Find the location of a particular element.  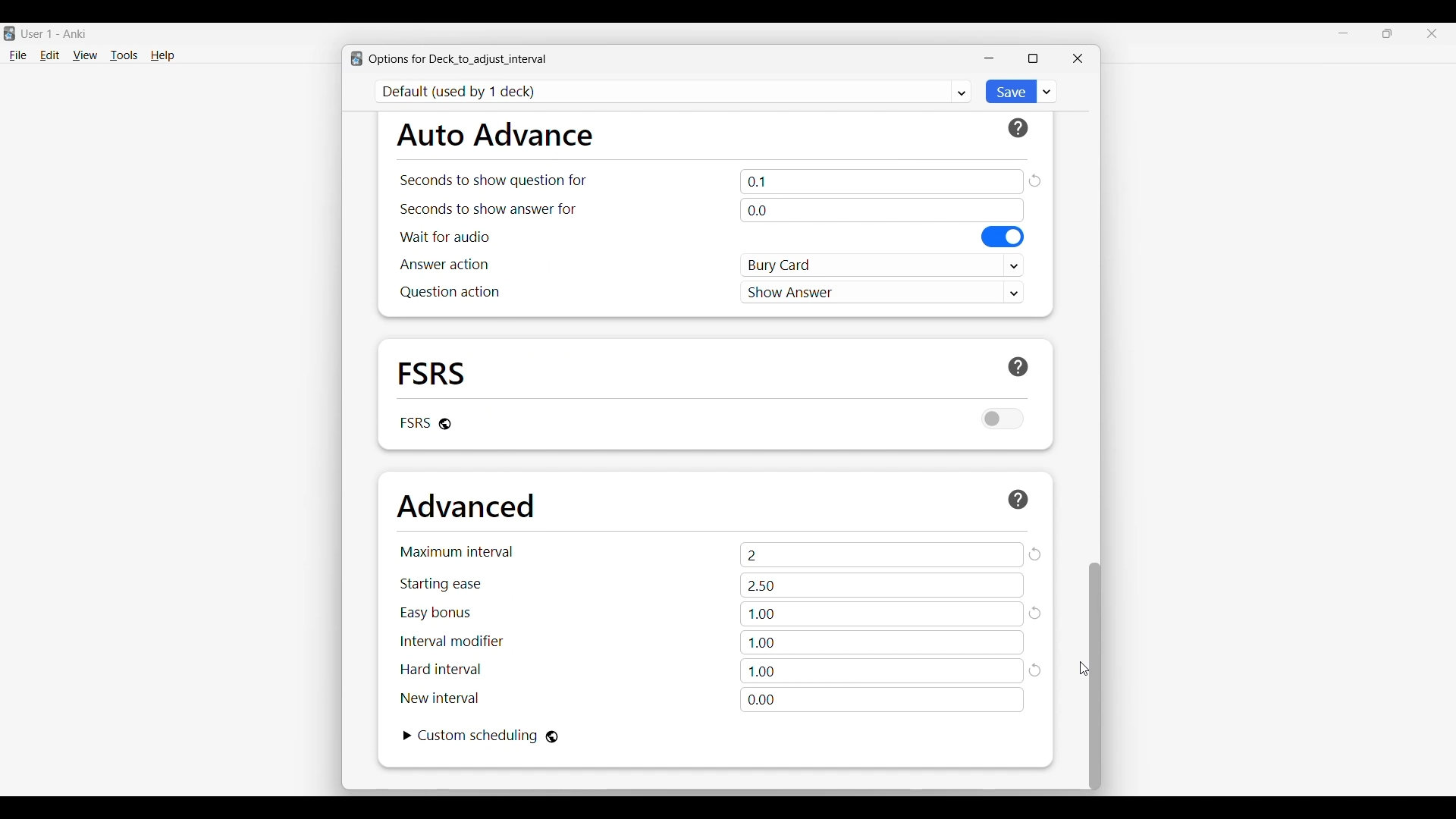

Indicates answer action is located at coordinates (444, 264).